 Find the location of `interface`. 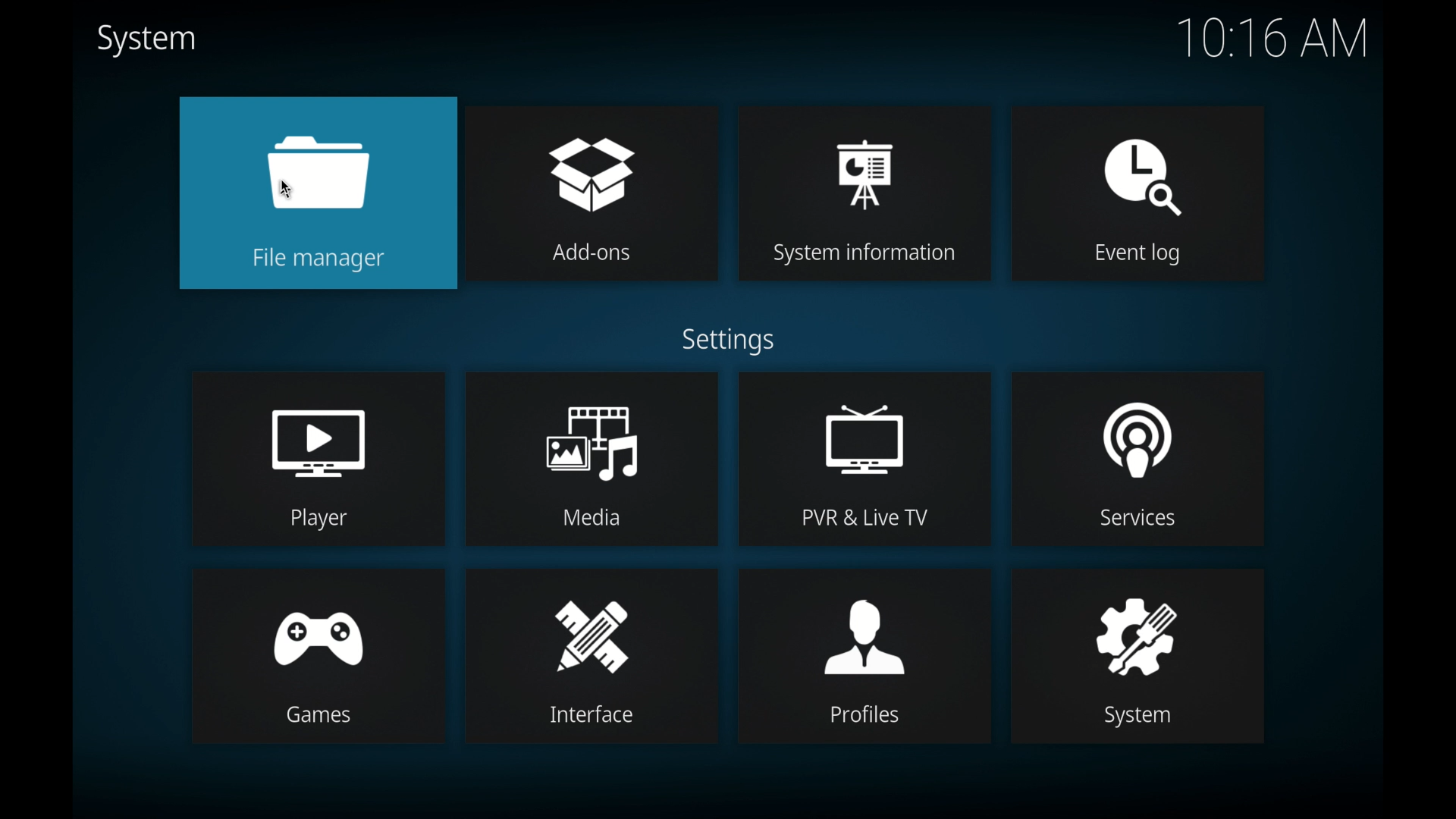

interface is located at coordinates (591, 655).